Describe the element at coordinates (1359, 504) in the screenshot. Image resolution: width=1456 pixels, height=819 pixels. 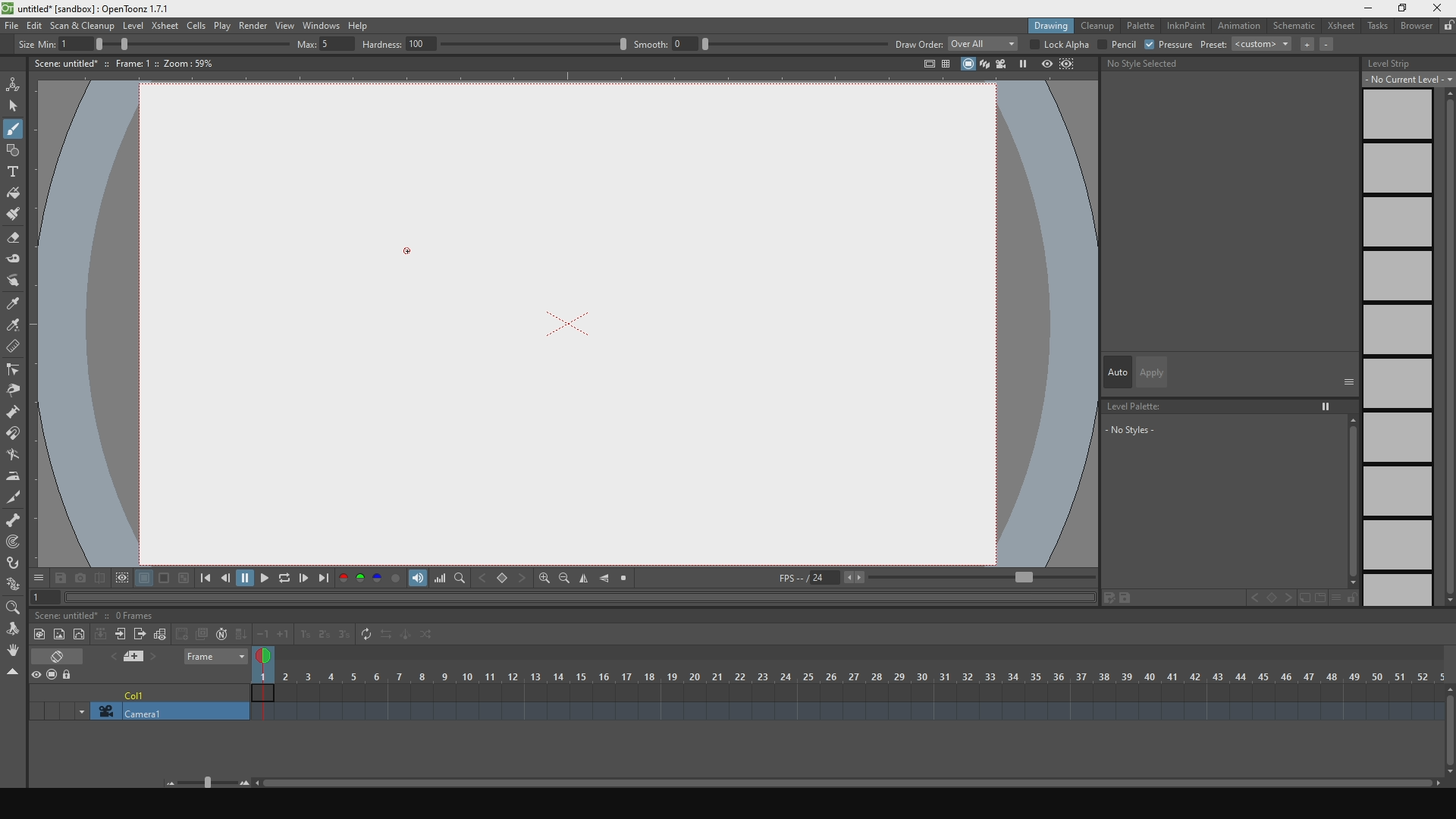
I see `scroll bar` at that location.